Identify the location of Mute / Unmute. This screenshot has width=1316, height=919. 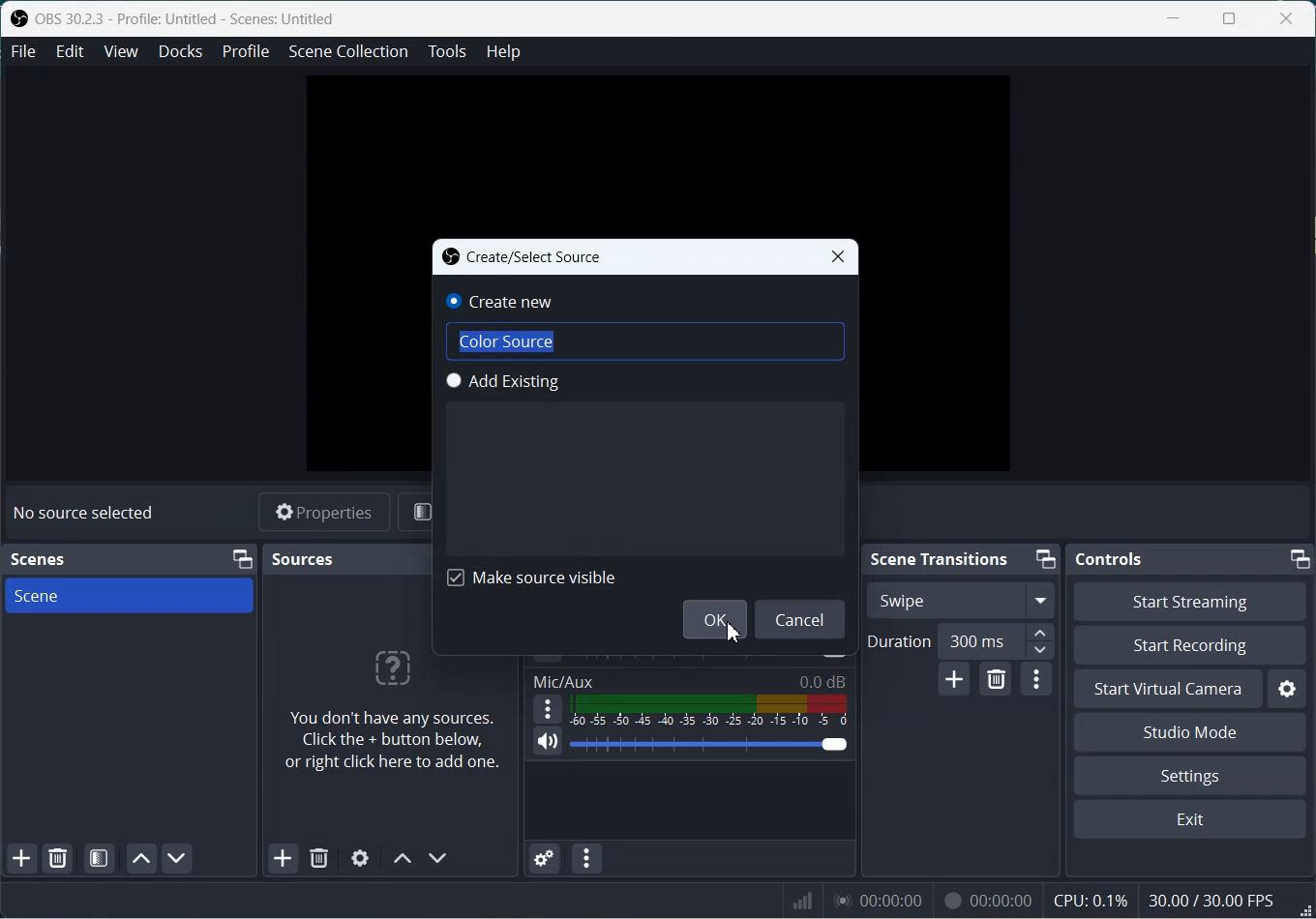
(549, 742).